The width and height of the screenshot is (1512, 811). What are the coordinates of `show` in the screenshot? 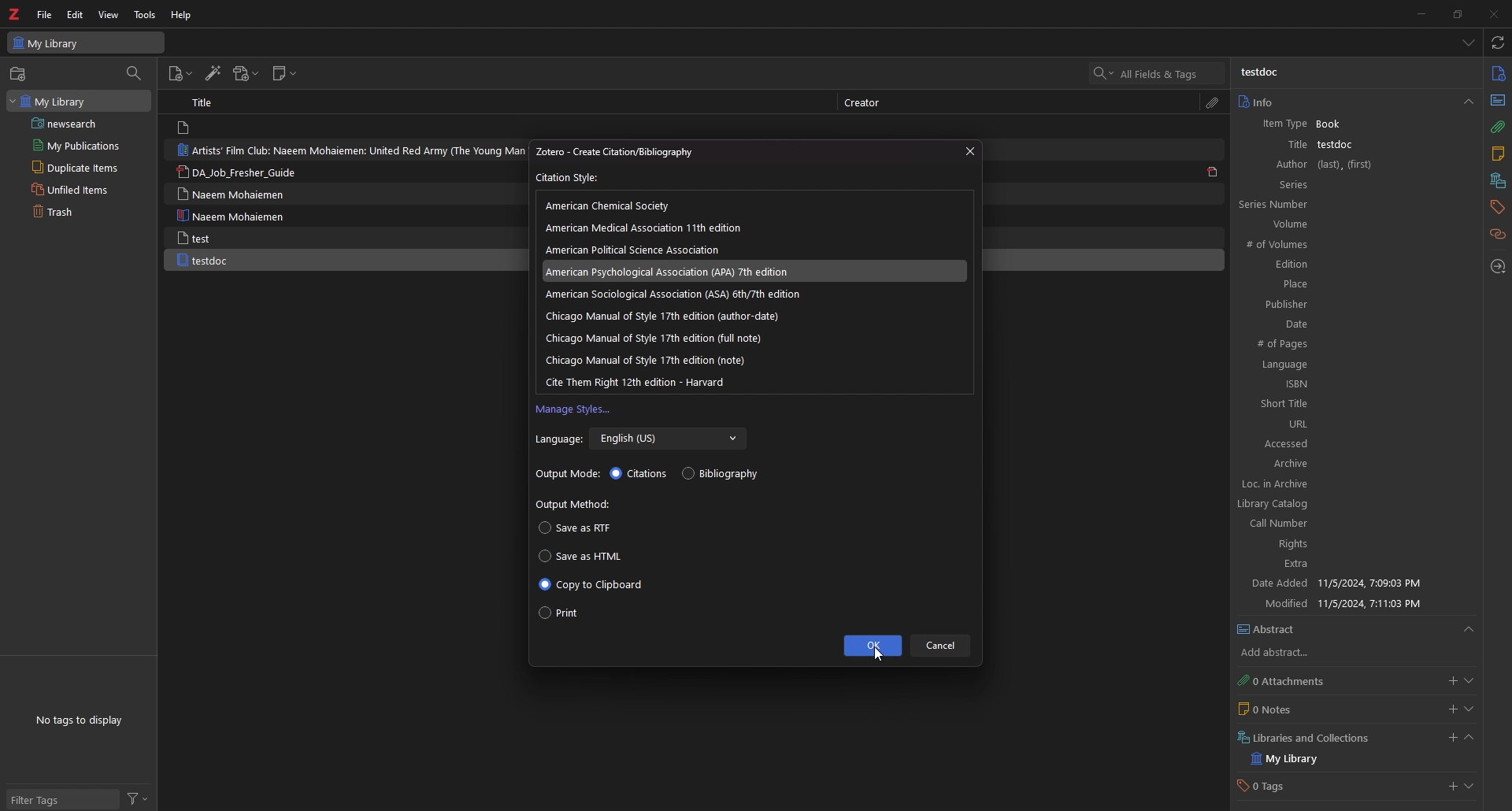 It's located at (1469, 709).